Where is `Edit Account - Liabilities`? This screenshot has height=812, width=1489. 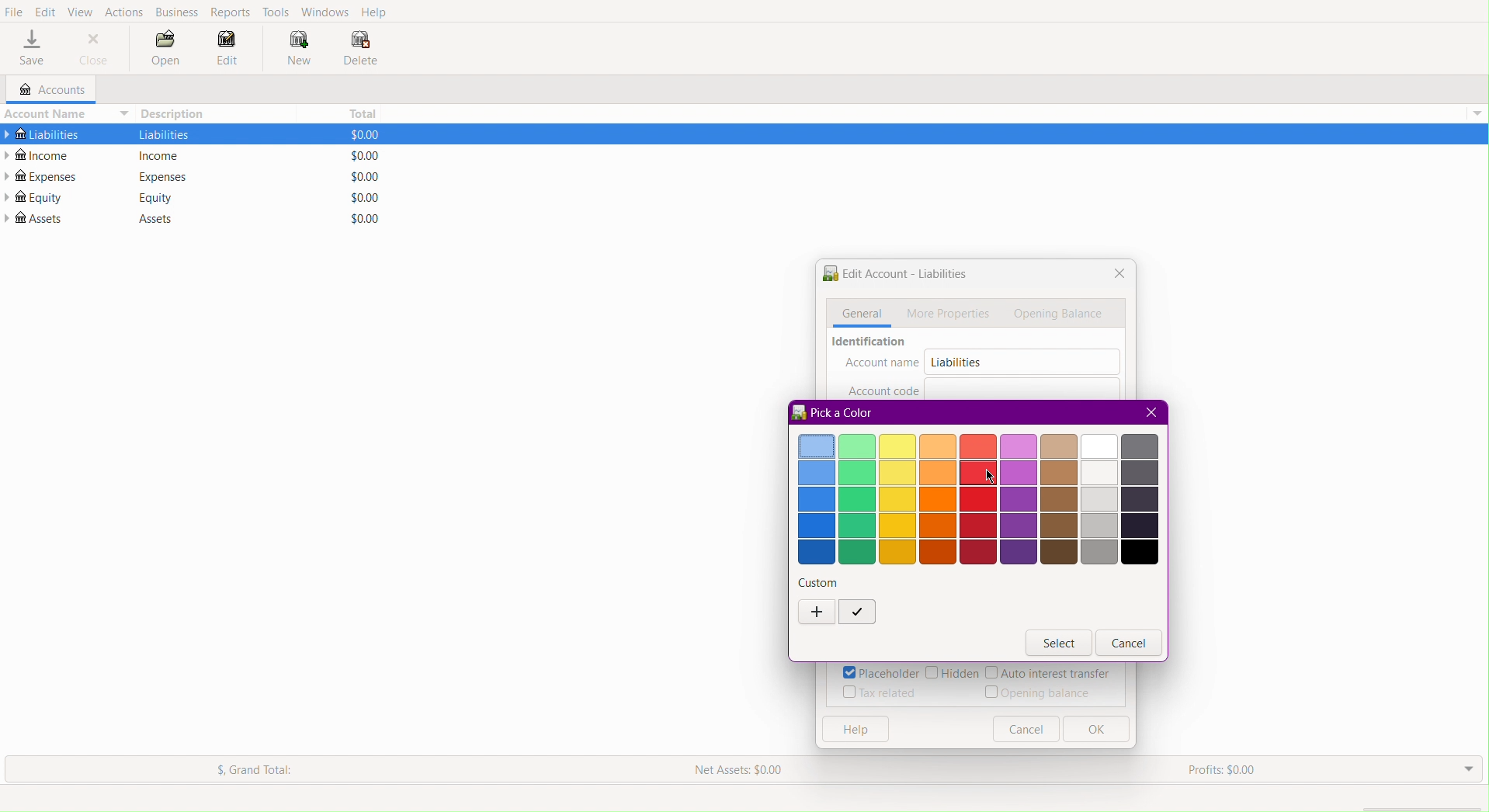
Edit Account - Liabilities is located at coordinates (894, 276).